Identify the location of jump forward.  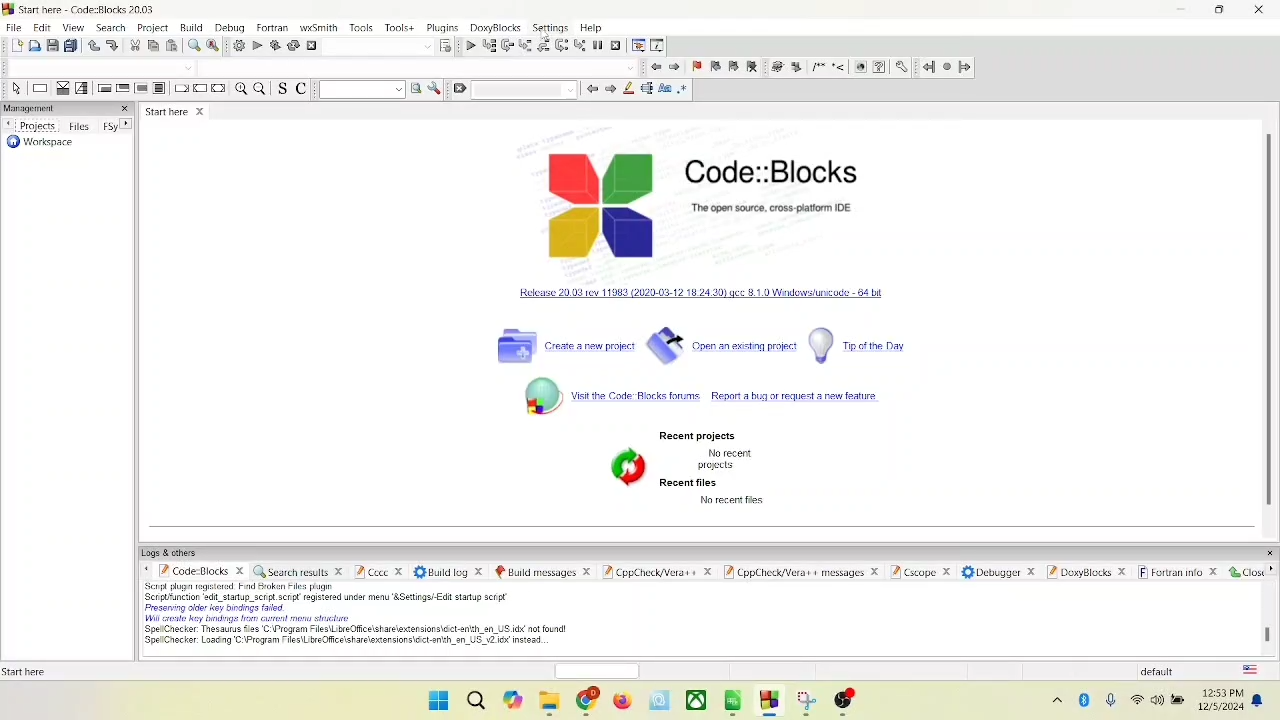
(964, 67).